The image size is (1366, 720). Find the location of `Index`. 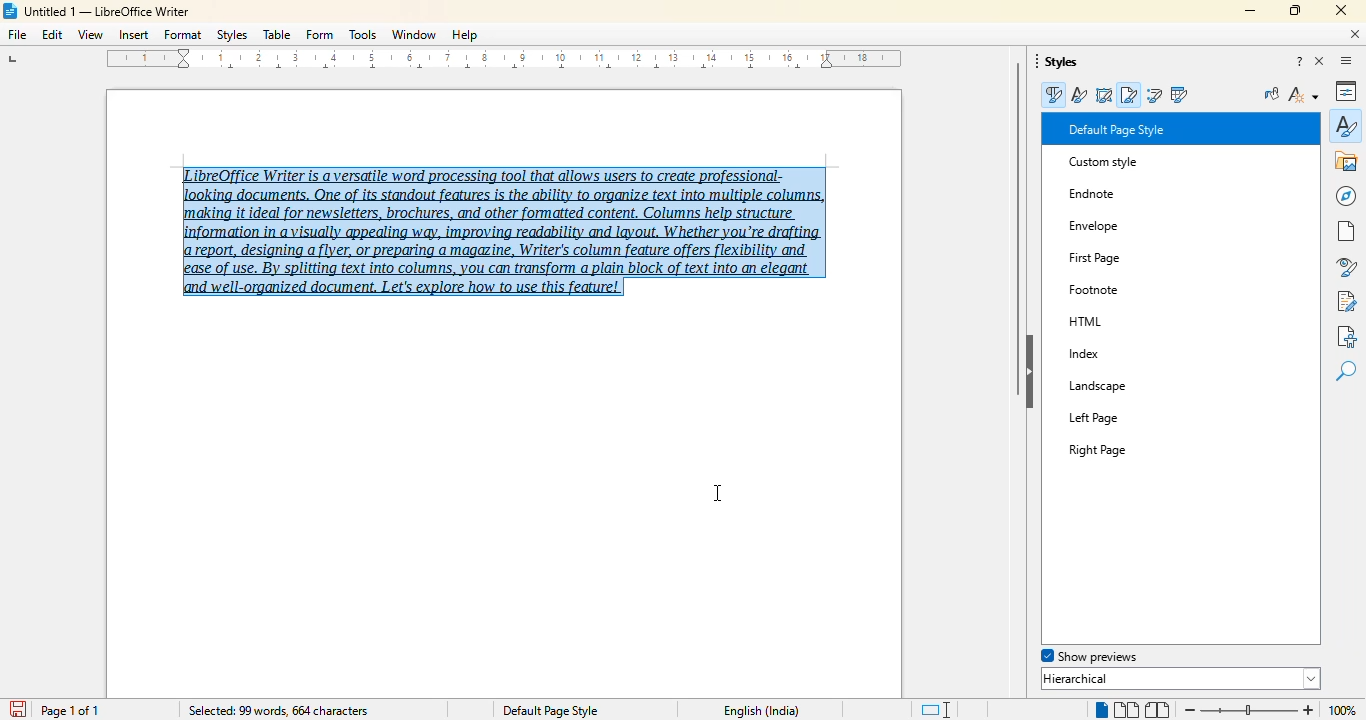

Index is located at coordinates (1135, 322).